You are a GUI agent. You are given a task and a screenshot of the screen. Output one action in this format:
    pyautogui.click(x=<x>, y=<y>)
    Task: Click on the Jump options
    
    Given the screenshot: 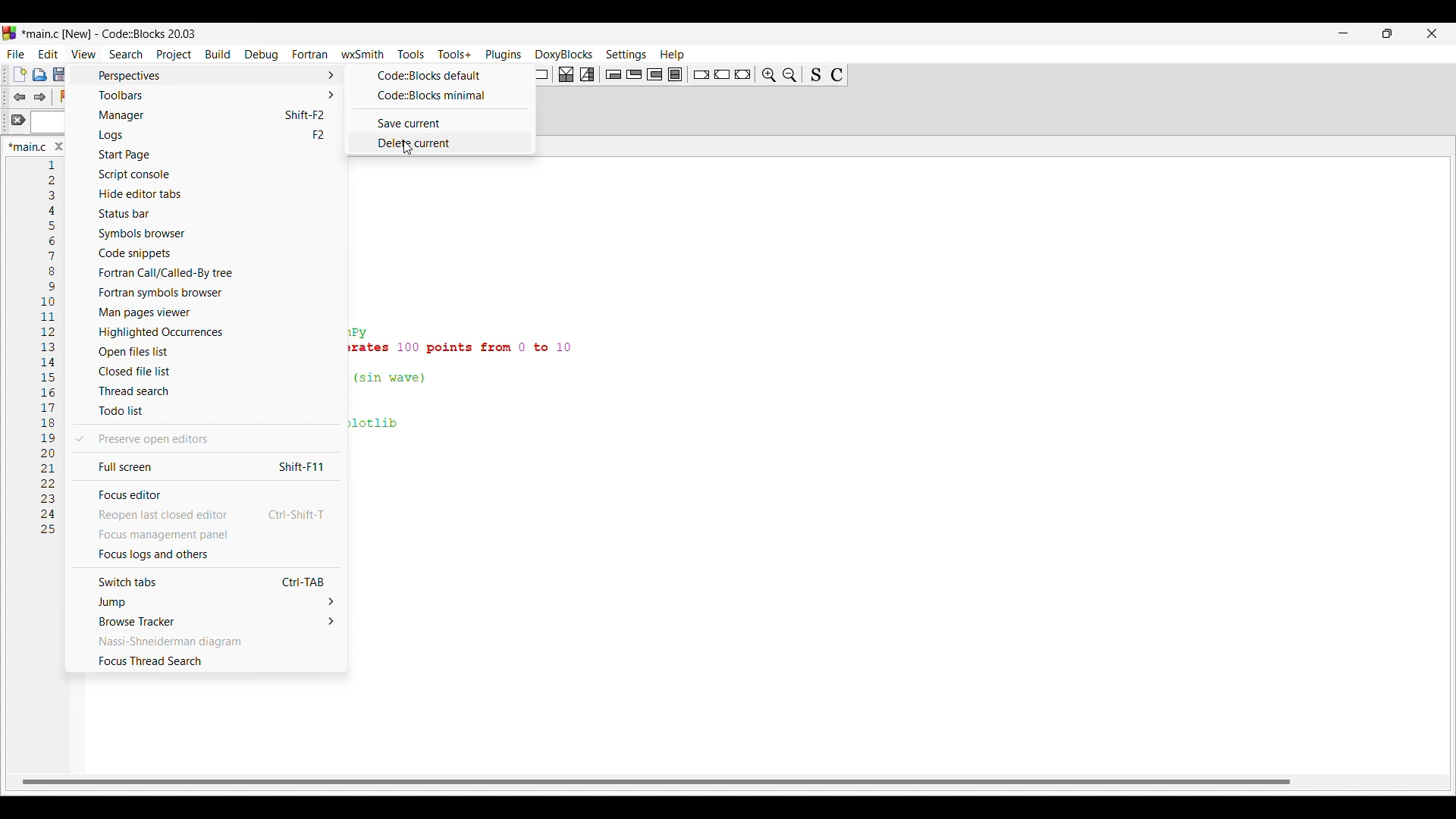 What is the action you would take?
    pyautogui.click(x=205, y=602)
    